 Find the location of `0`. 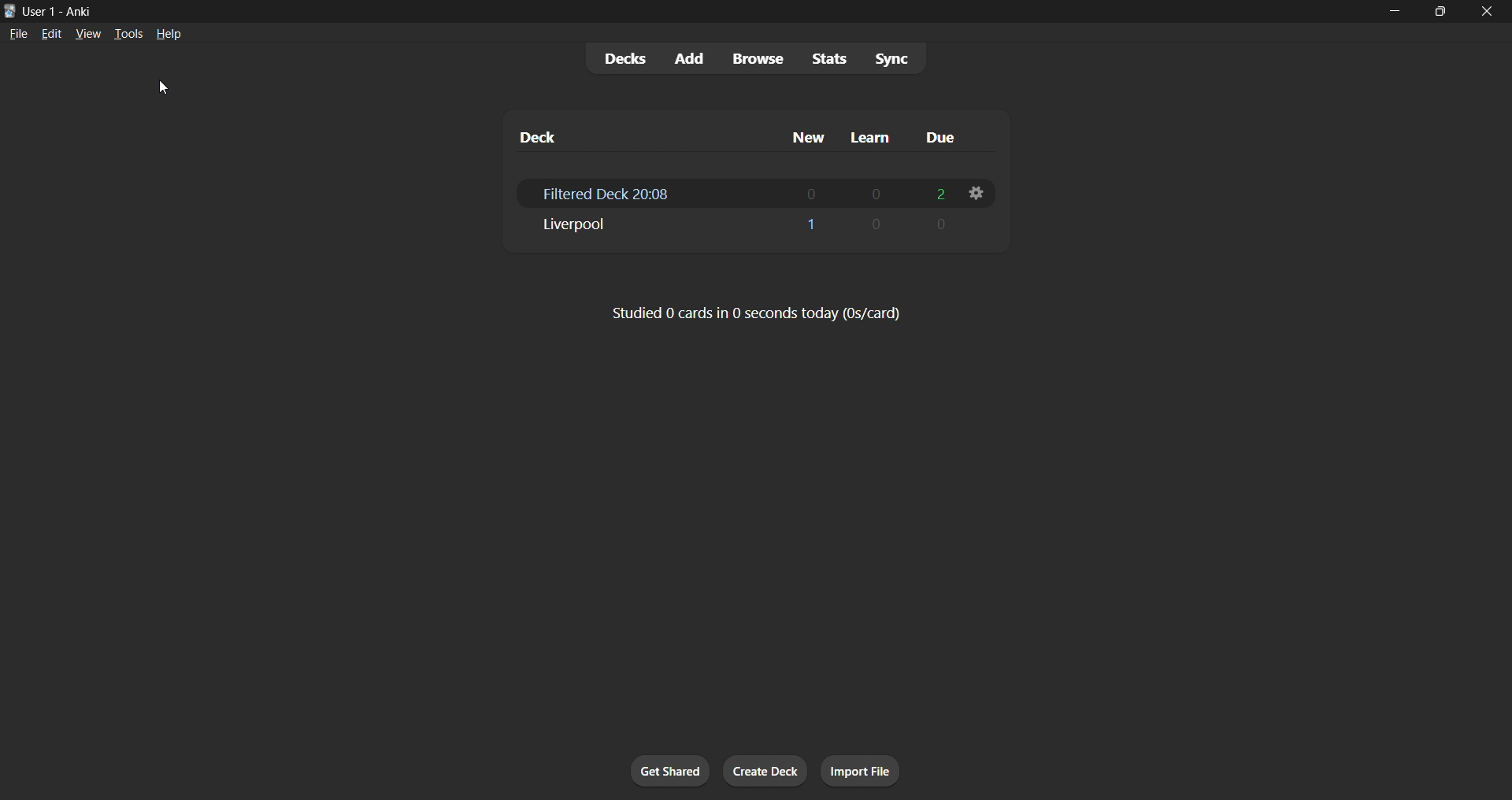

0 is located at coordinates (875, 194).